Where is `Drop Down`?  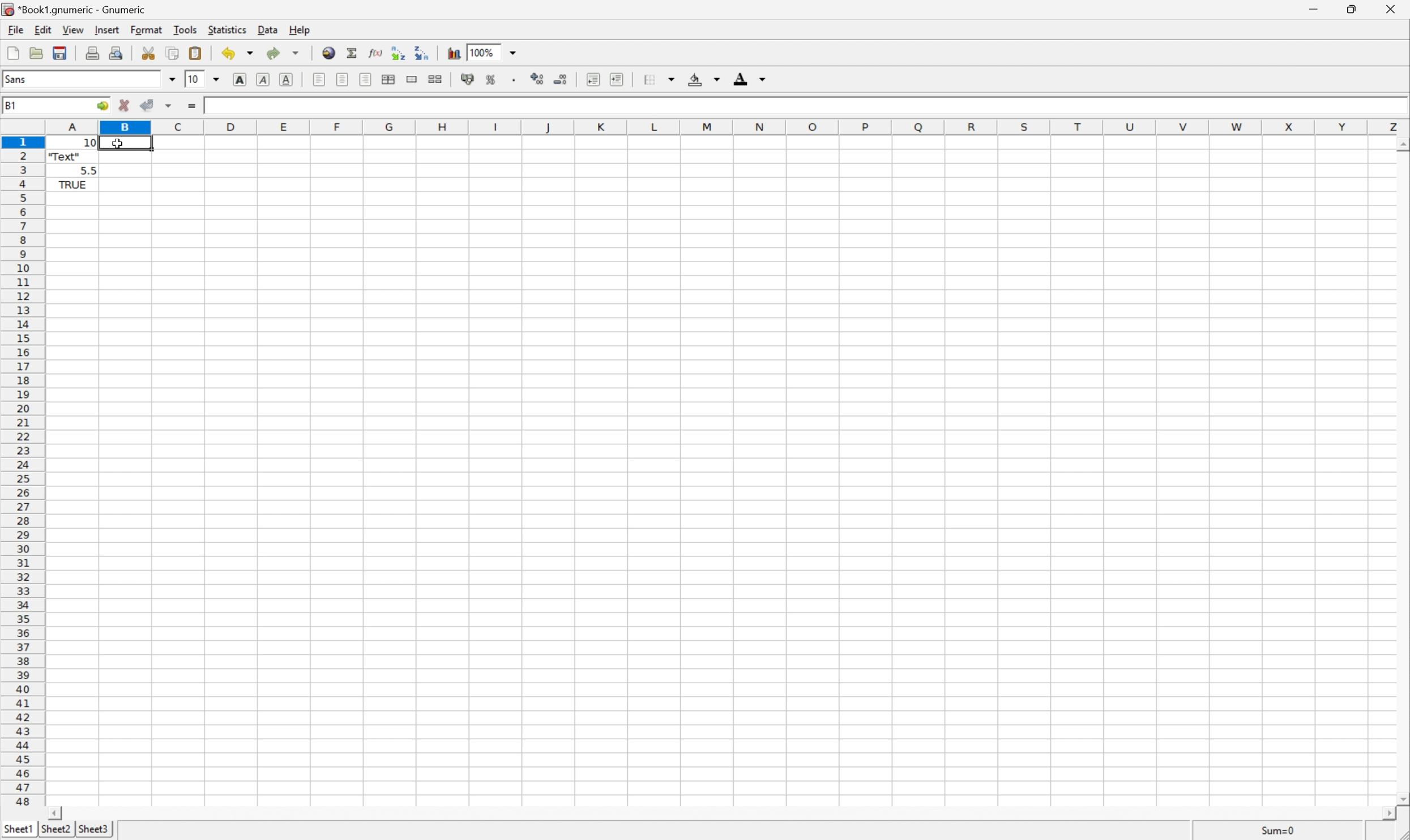
Drop Down is located at coordinates (169, 79).